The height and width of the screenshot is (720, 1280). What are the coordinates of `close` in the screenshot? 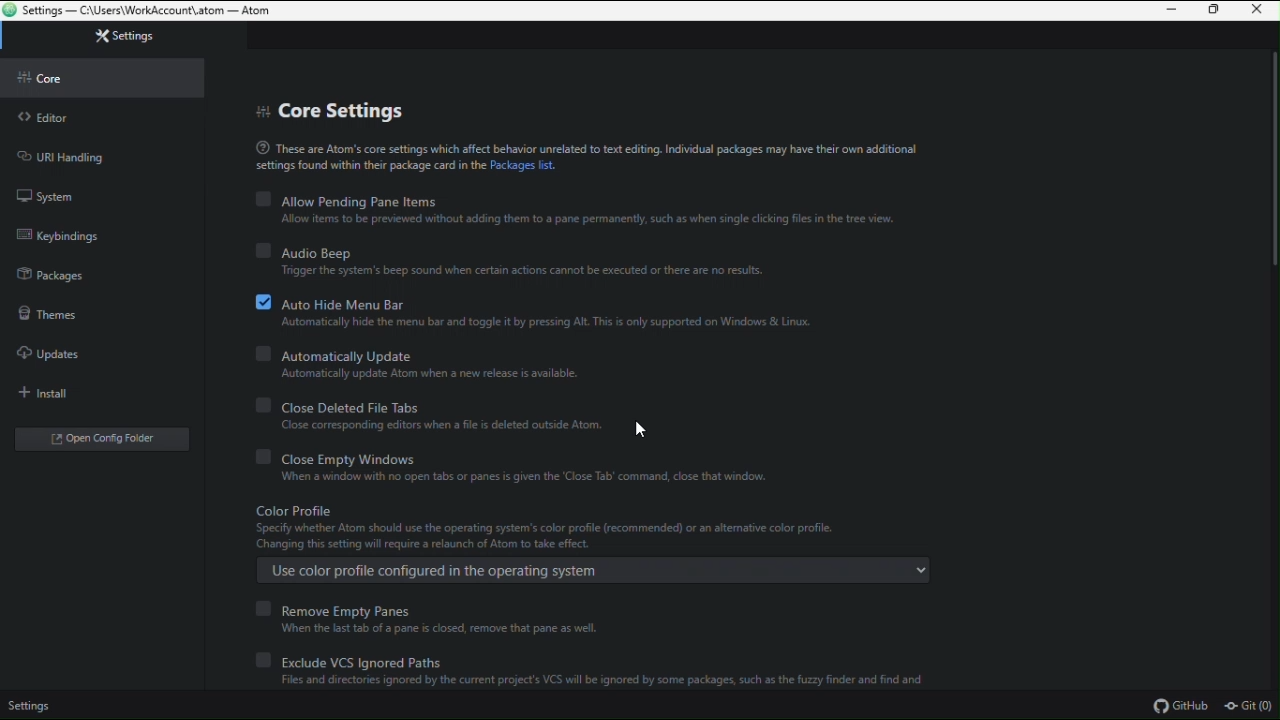 It's located at (1261, 10).